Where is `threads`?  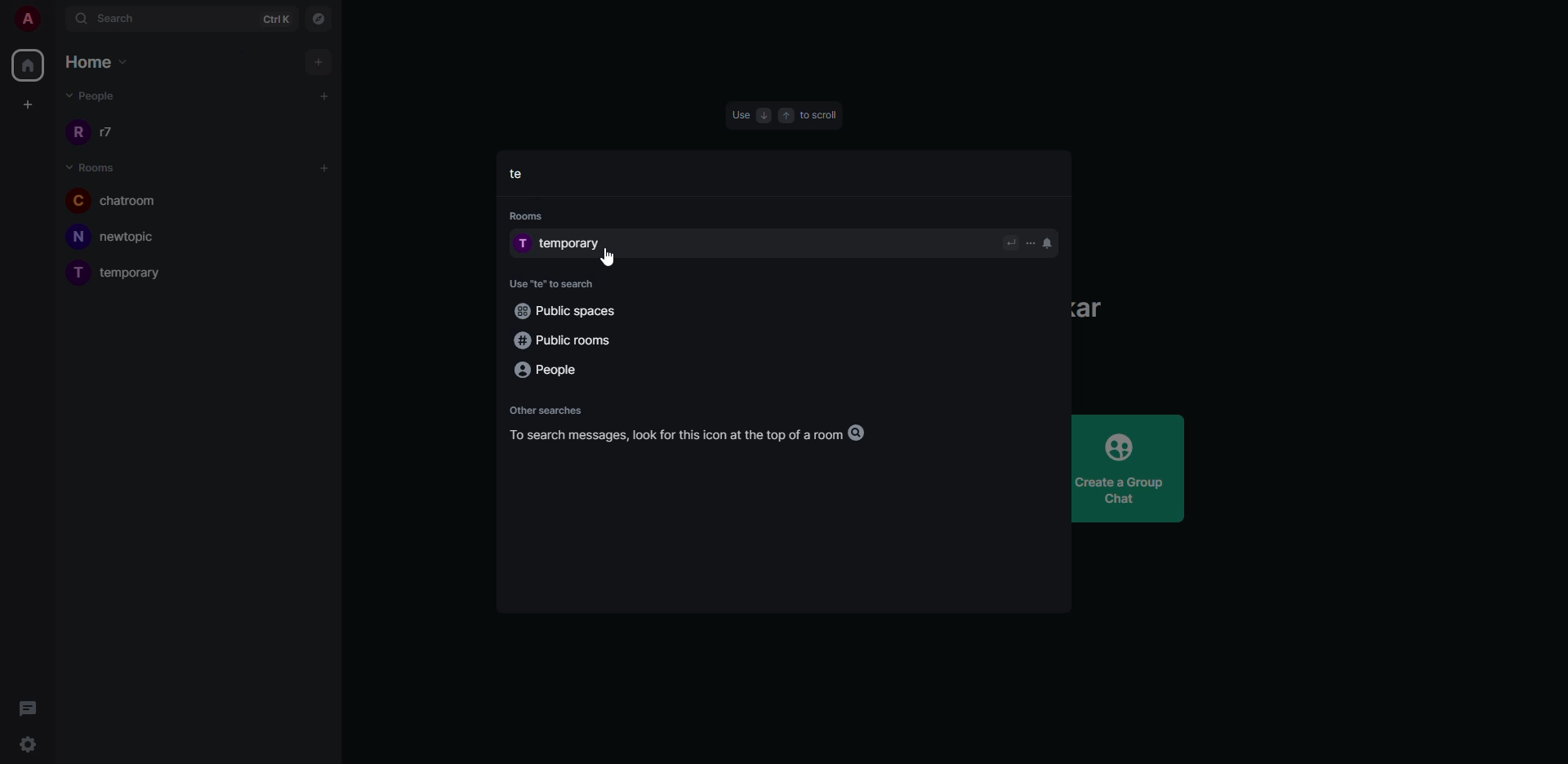
threads is located at coordinates (27, 708).